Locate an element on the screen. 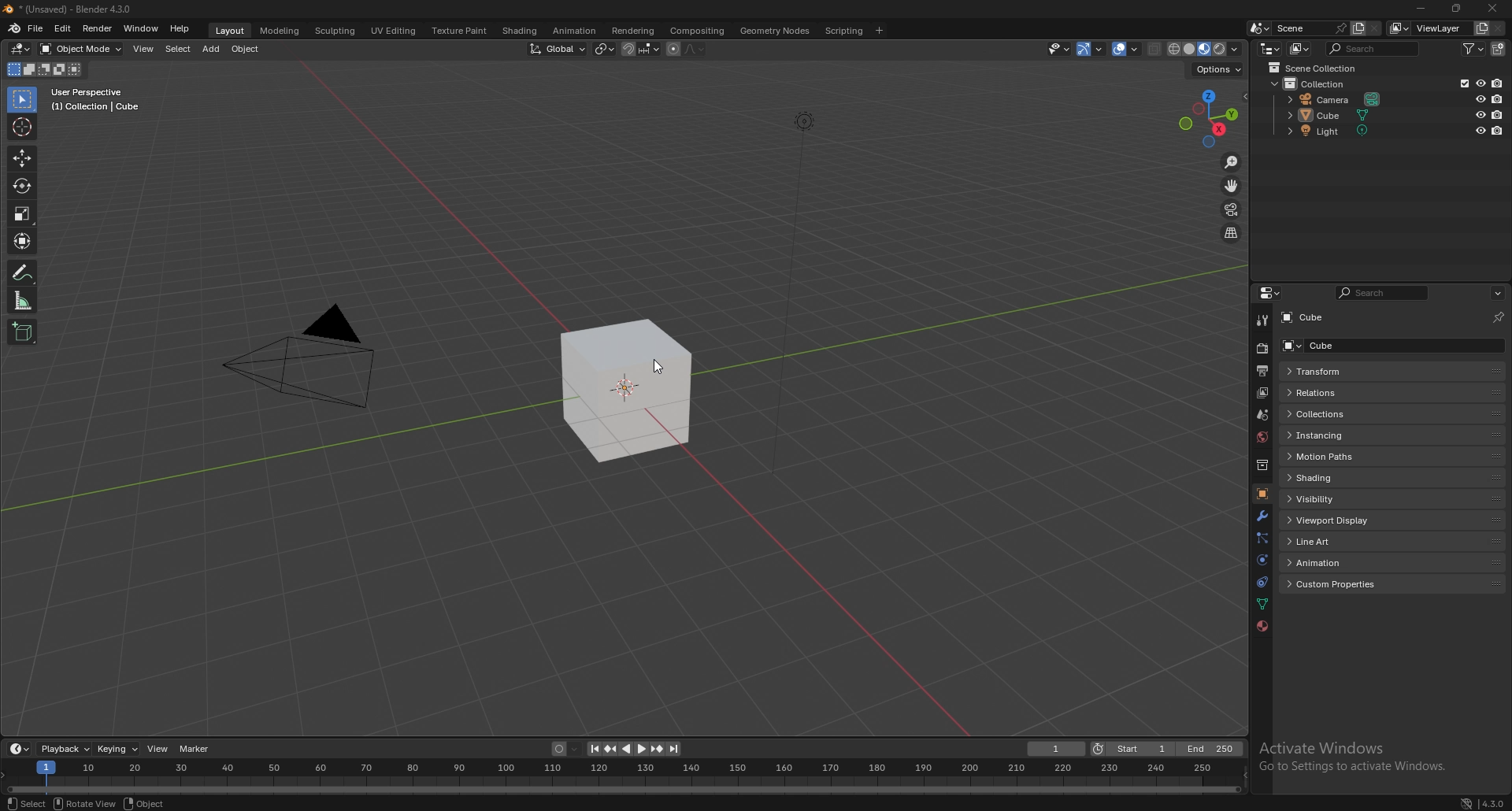 The height and width of the screenshot is (811, 1512). preset viewpoint is located at coordinates (1208, 118).